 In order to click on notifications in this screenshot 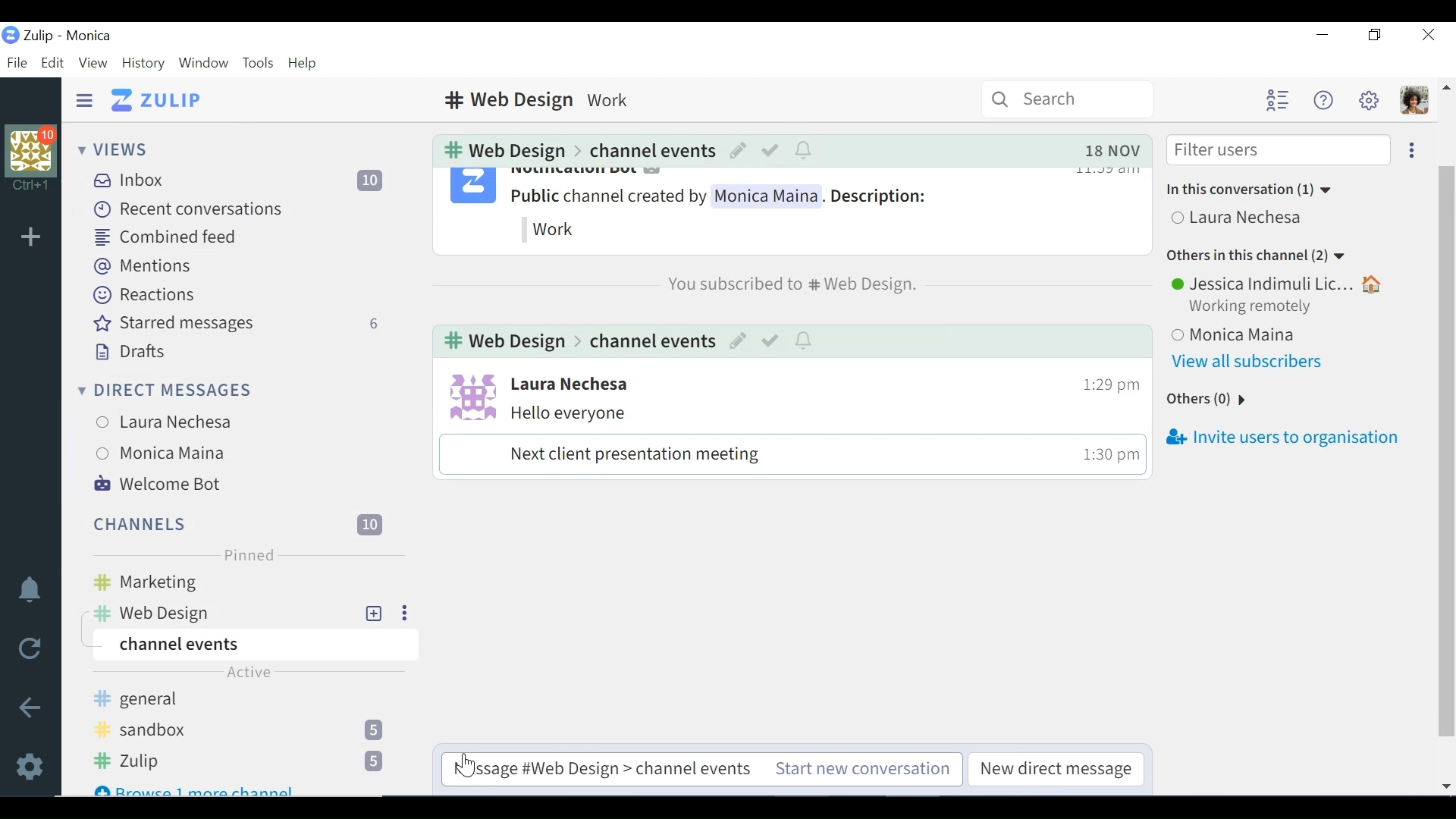, I will do `click(805, 149)`.